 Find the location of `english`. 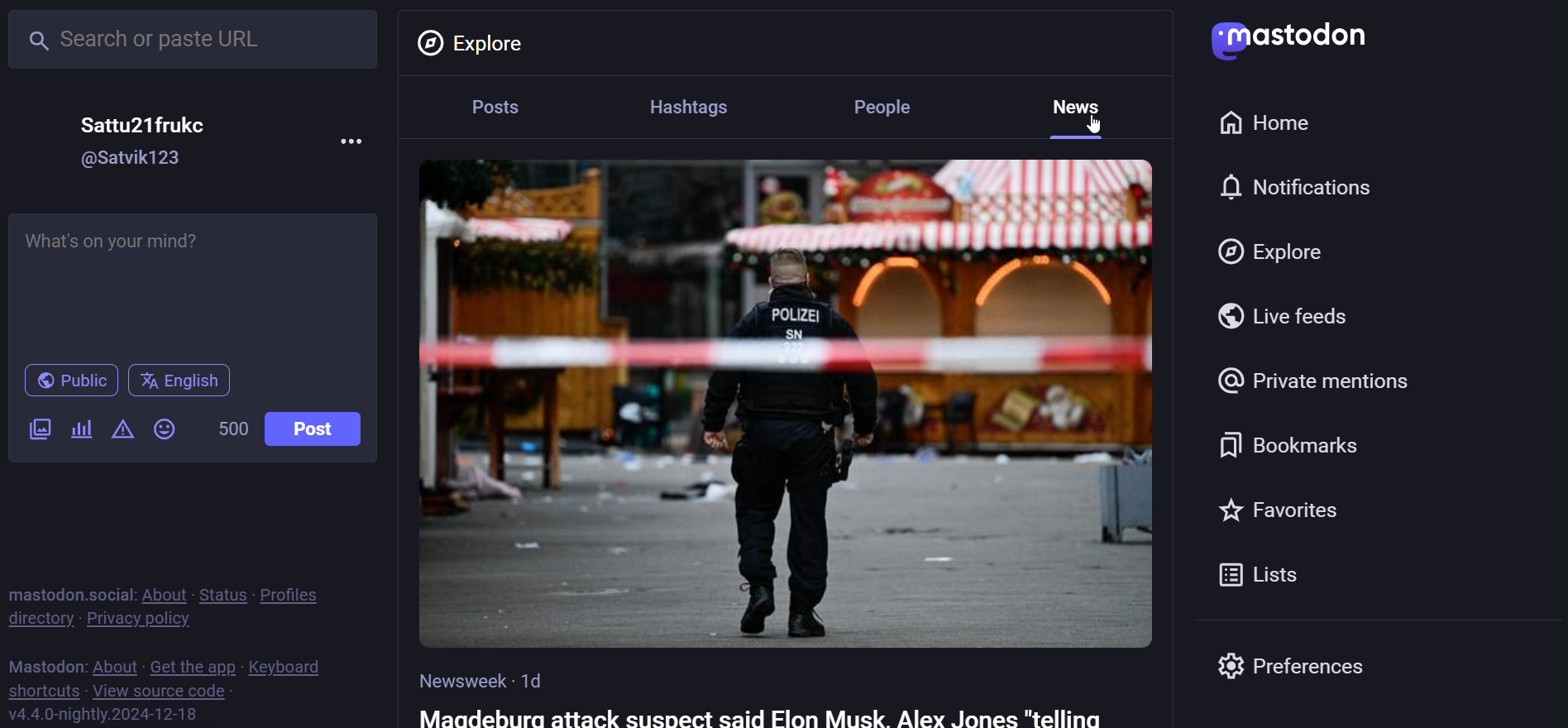

english is located at coordinates (184, 382).